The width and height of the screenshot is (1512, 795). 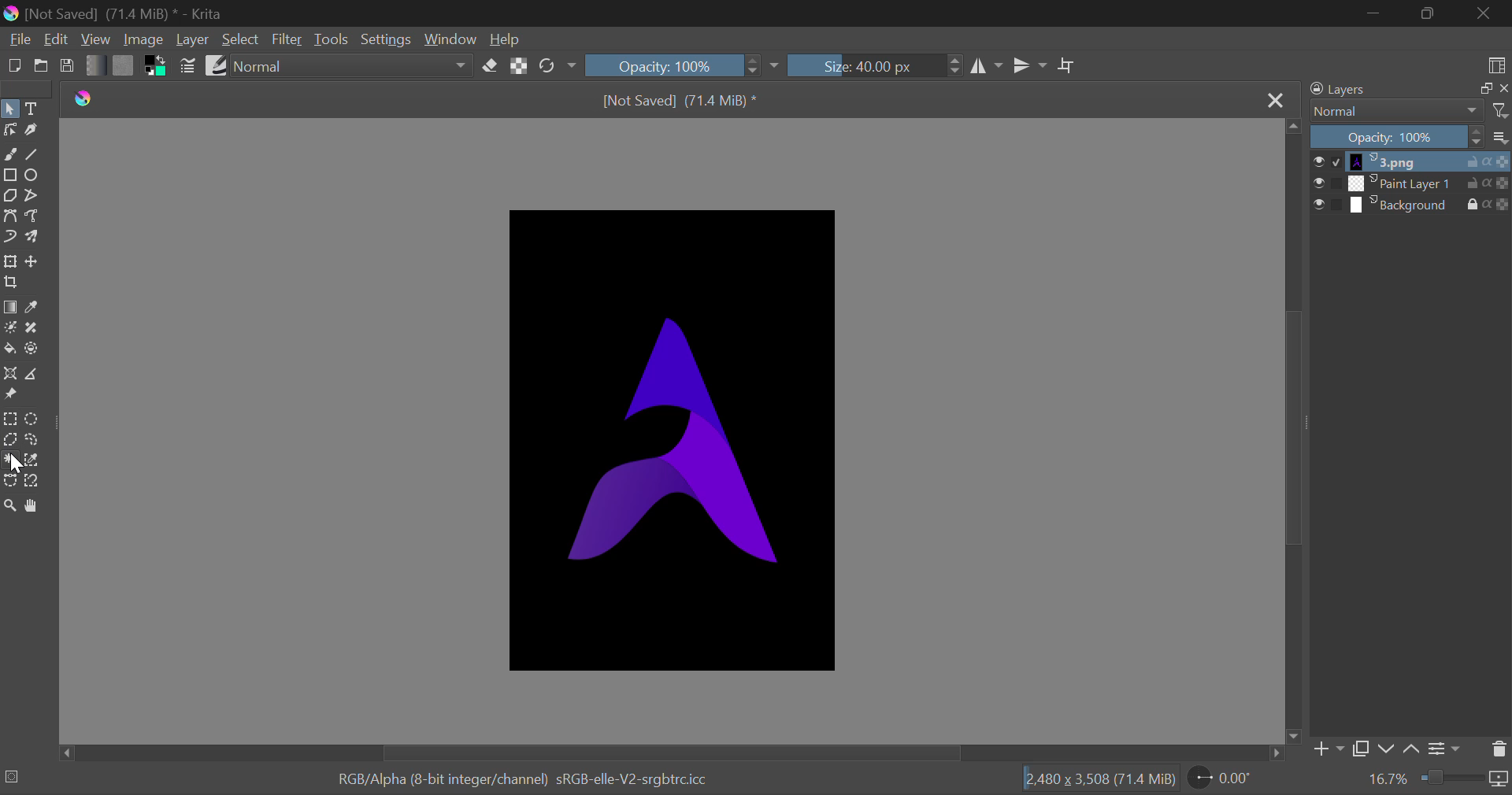 What do you see at coordinates (146, 41) in the screenshot?
I see `Image` at bounding box center [146, 41].